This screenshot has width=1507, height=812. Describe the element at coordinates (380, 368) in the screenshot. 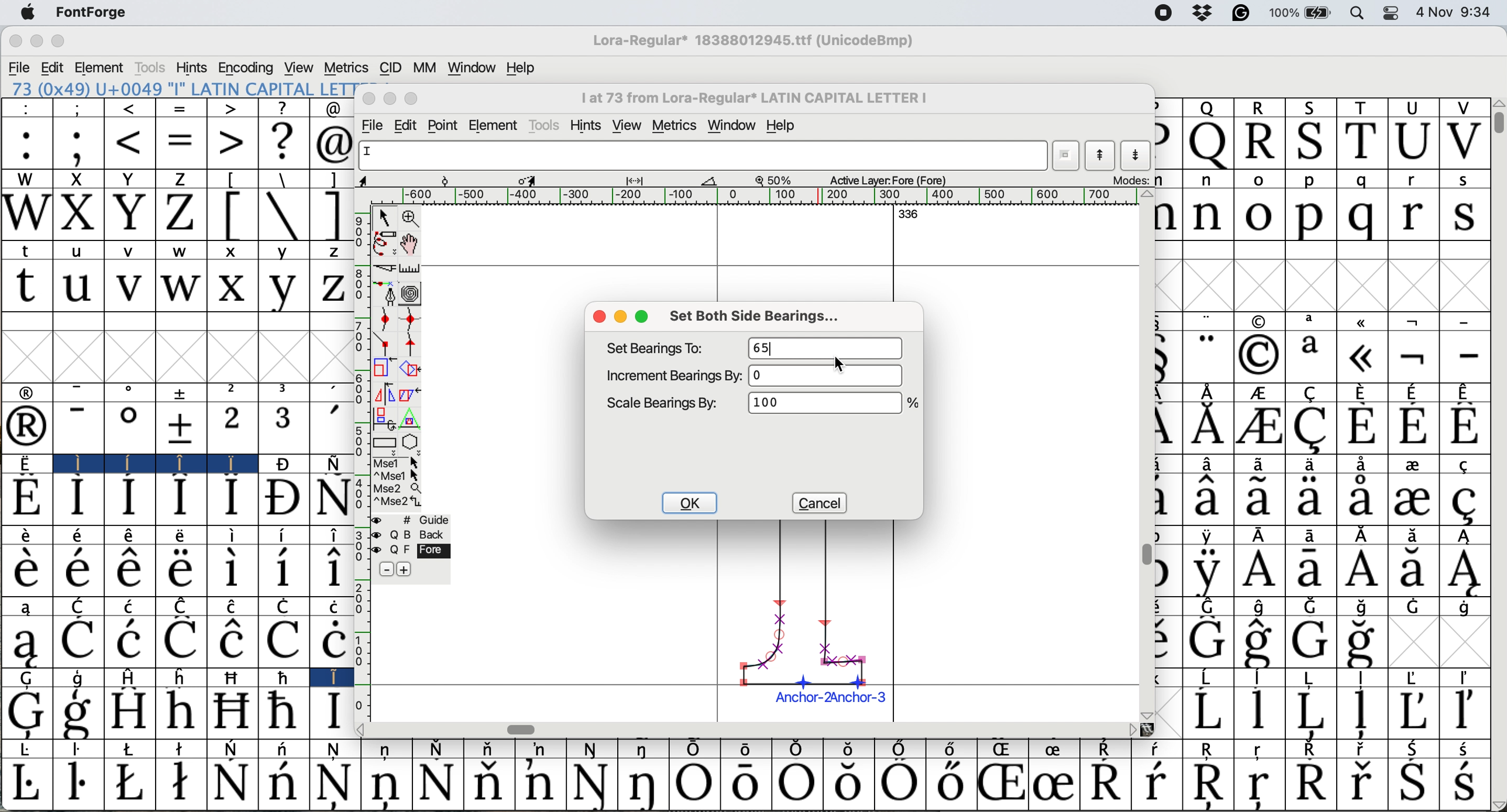

I see `scale the selection` at that location.